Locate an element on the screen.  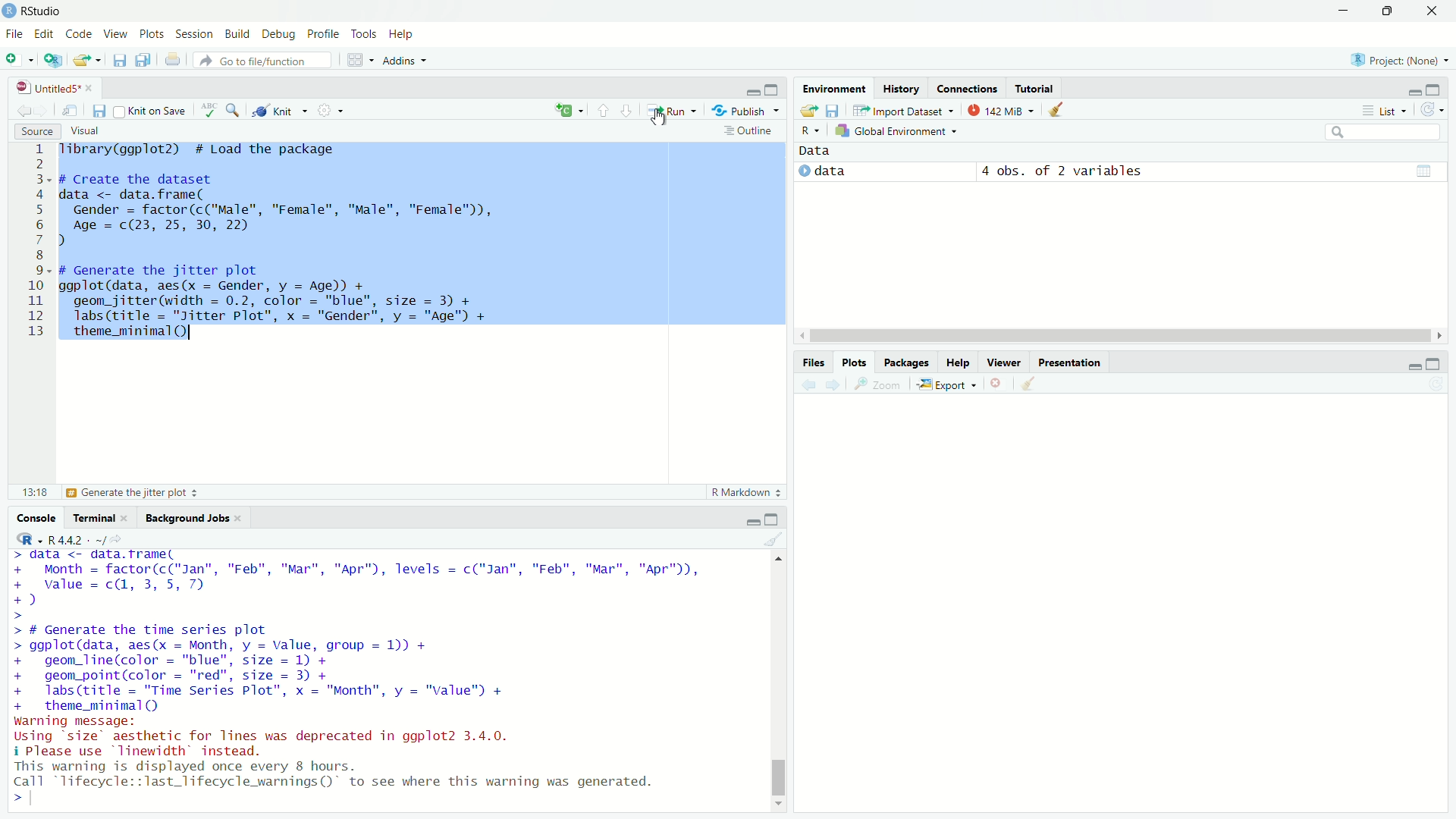
data is located at coordinates (839, 171).